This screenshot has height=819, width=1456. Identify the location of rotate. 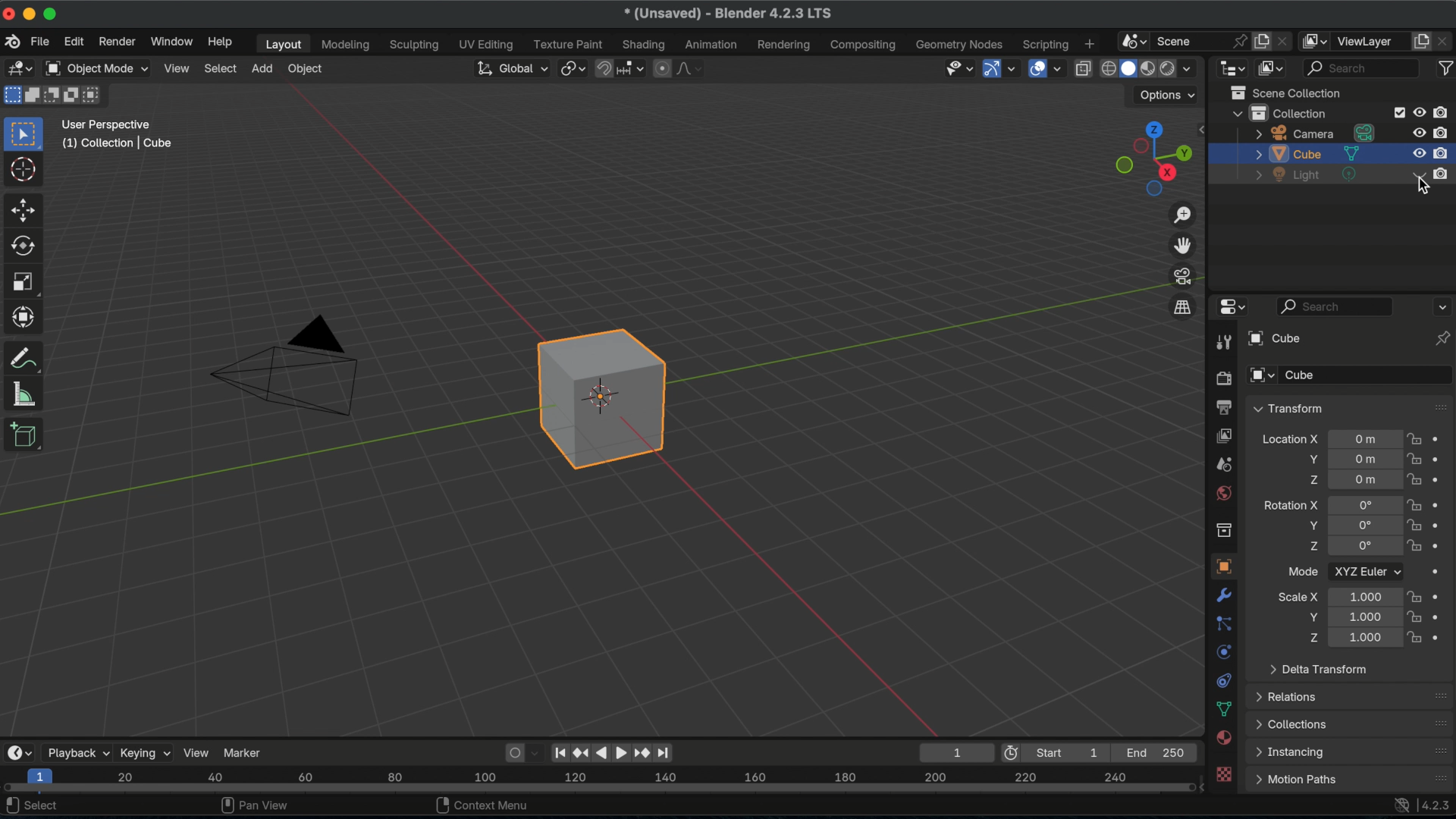
(20, 246).